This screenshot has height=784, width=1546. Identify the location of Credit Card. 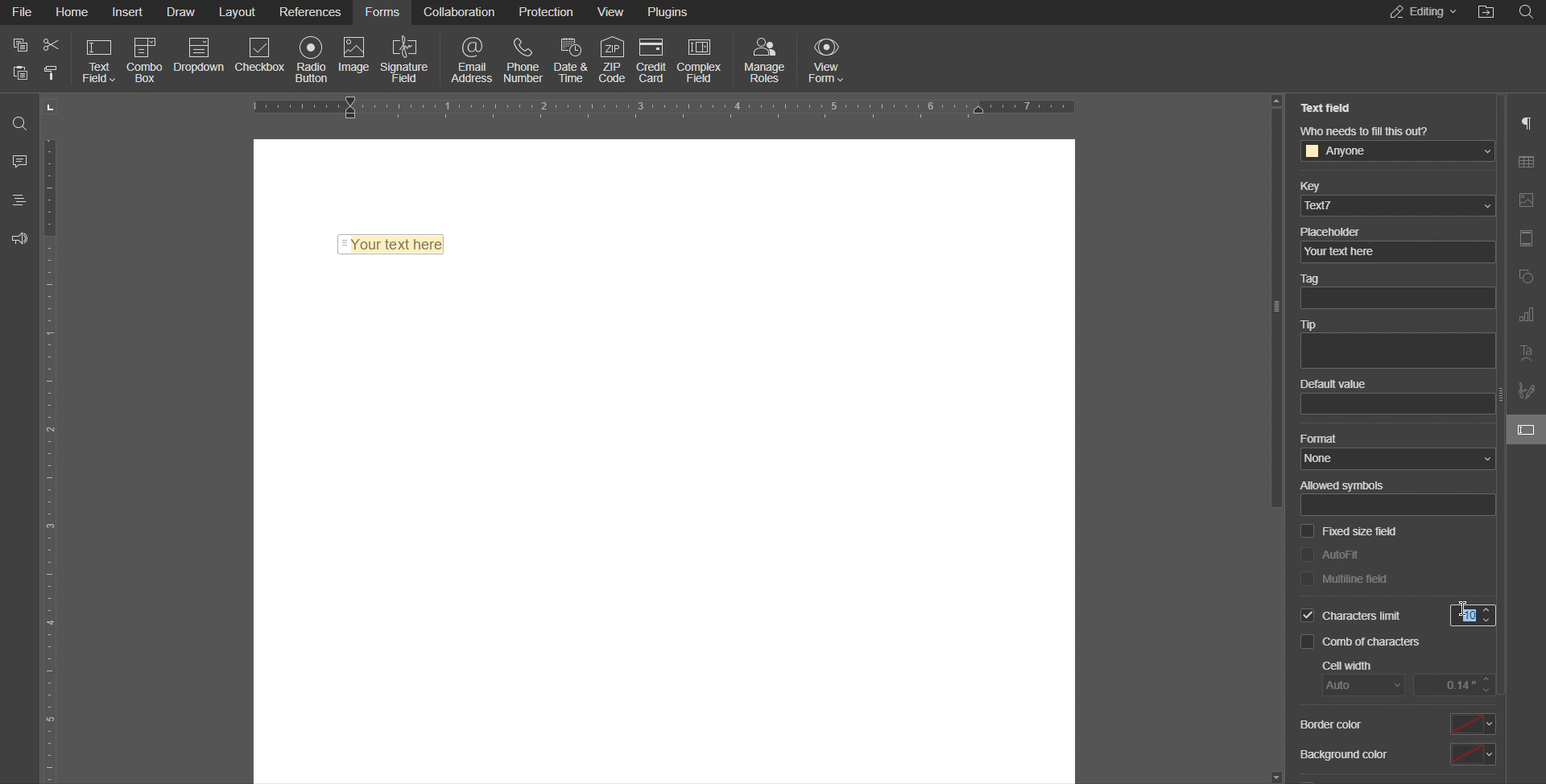
(651, 56).